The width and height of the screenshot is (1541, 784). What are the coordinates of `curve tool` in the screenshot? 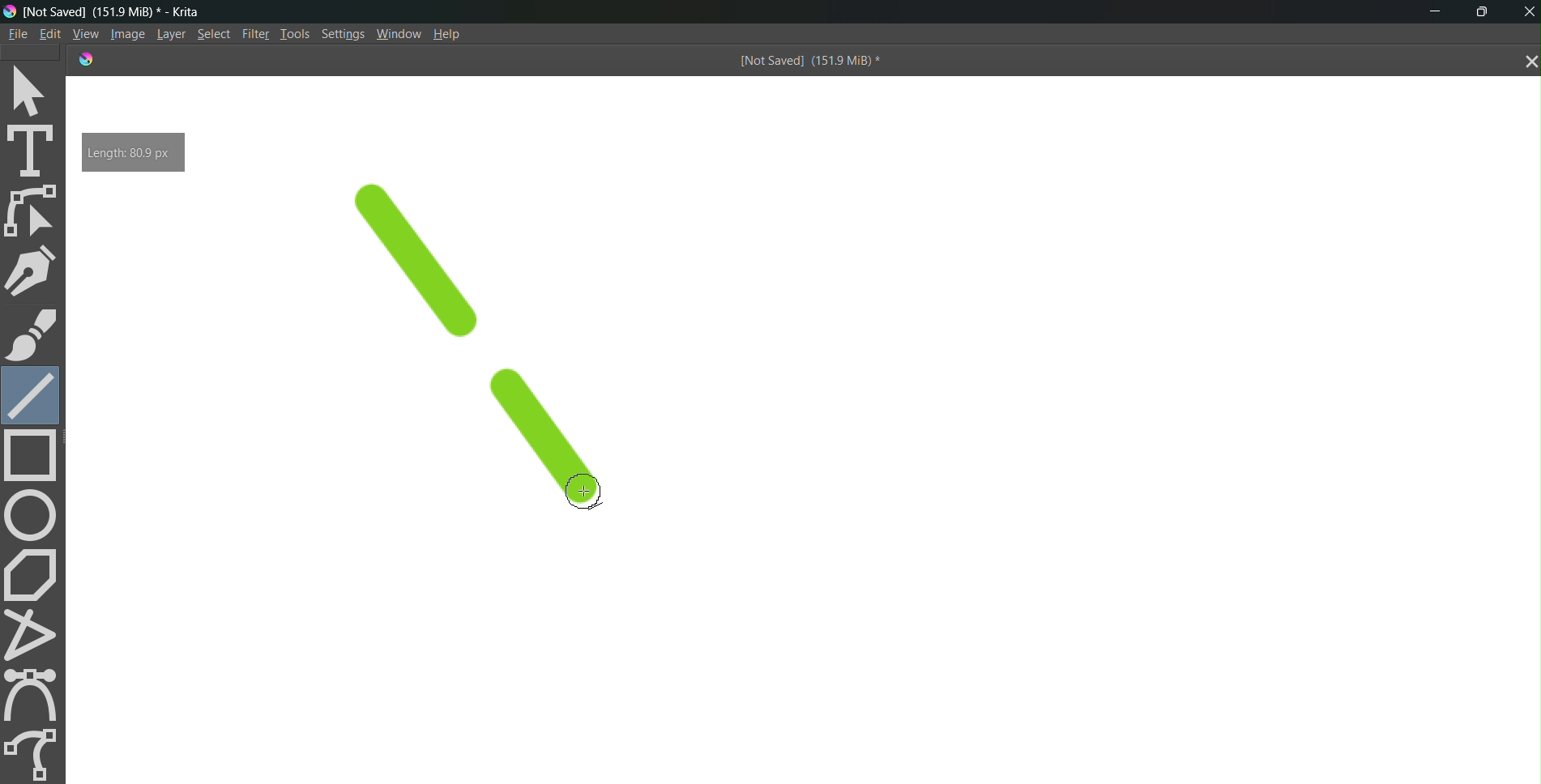 It's located at (36, 694).